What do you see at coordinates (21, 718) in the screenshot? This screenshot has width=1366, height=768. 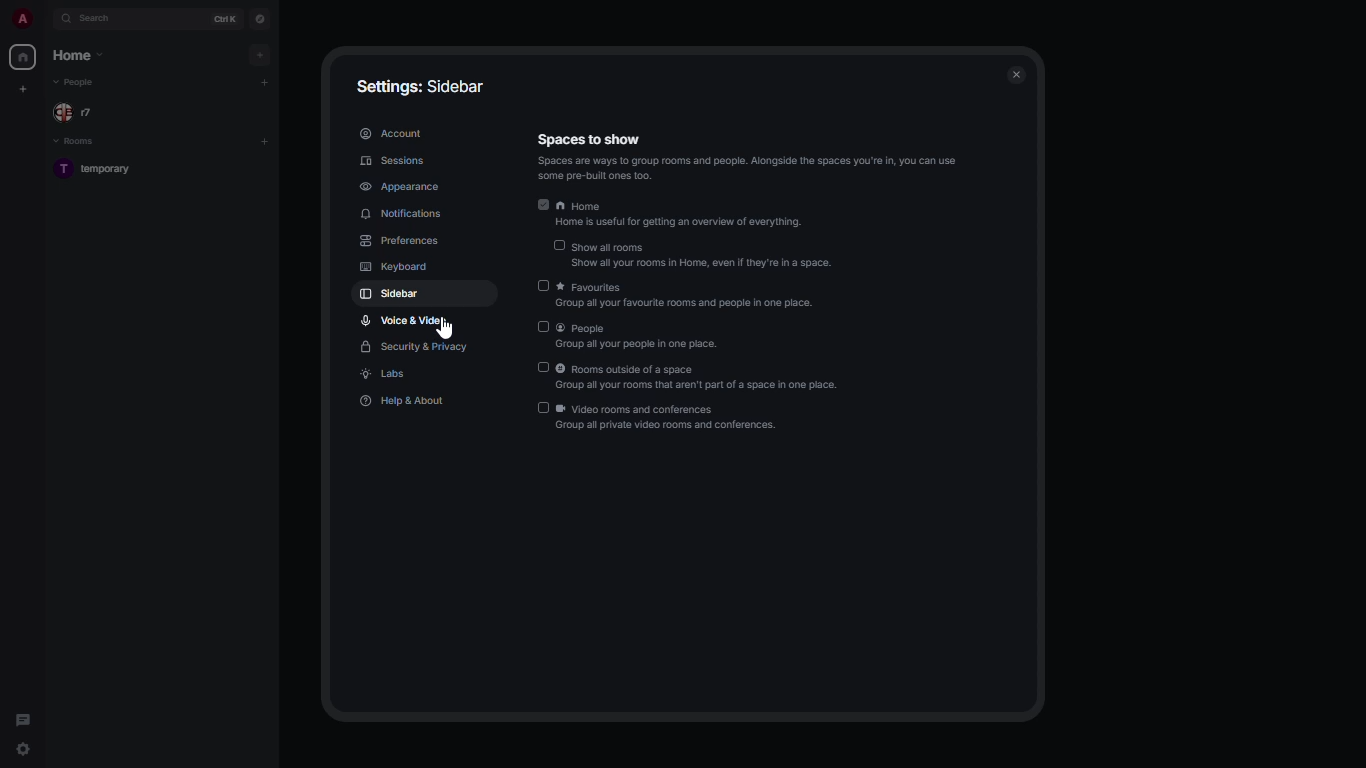 I see `threads` at bounding box center [21, 718].